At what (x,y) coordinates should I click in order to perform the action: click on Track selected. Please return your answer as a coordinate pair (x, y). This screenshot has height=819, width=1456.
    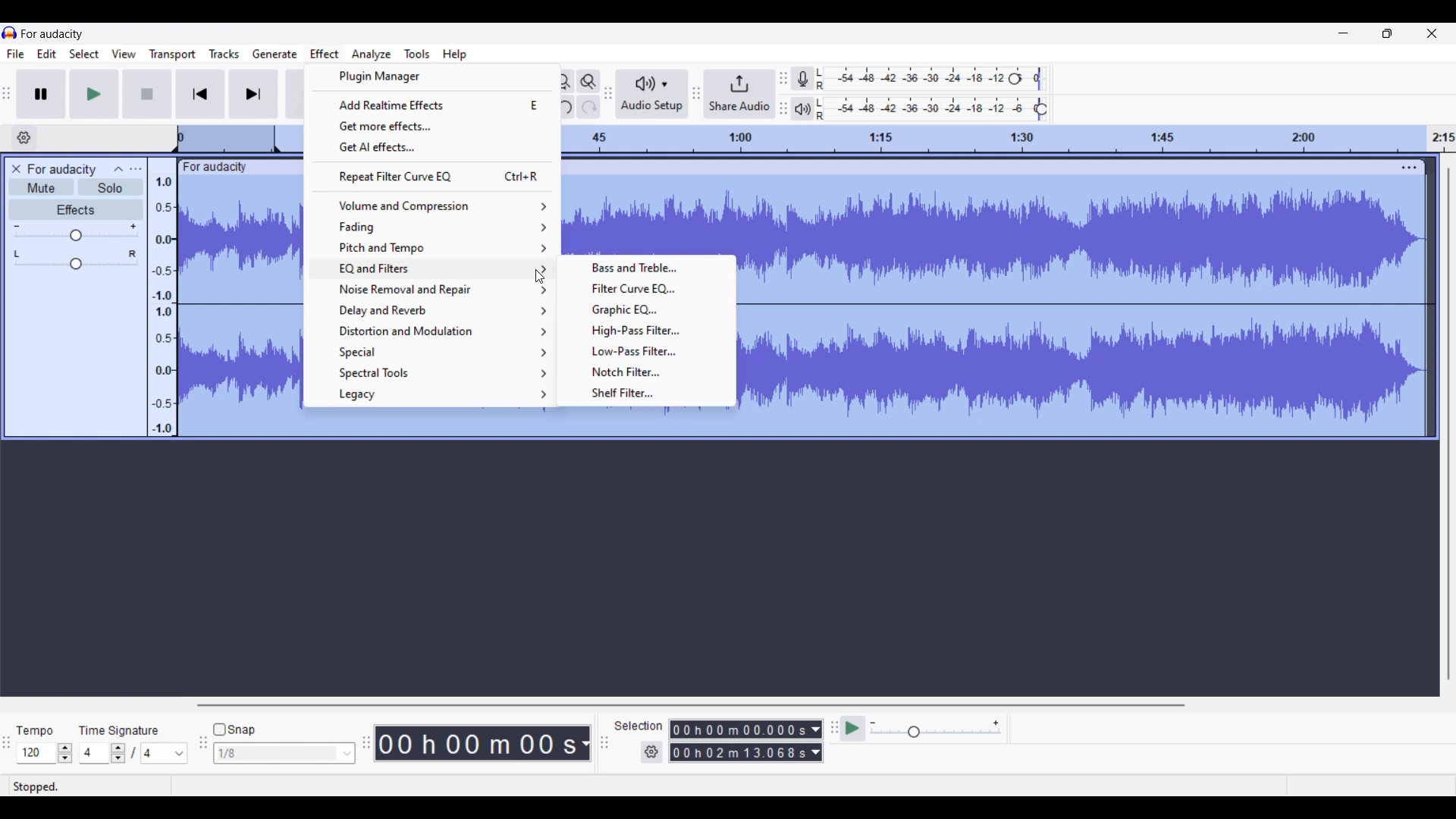
    Looking at the image, I should click on (240, 306).